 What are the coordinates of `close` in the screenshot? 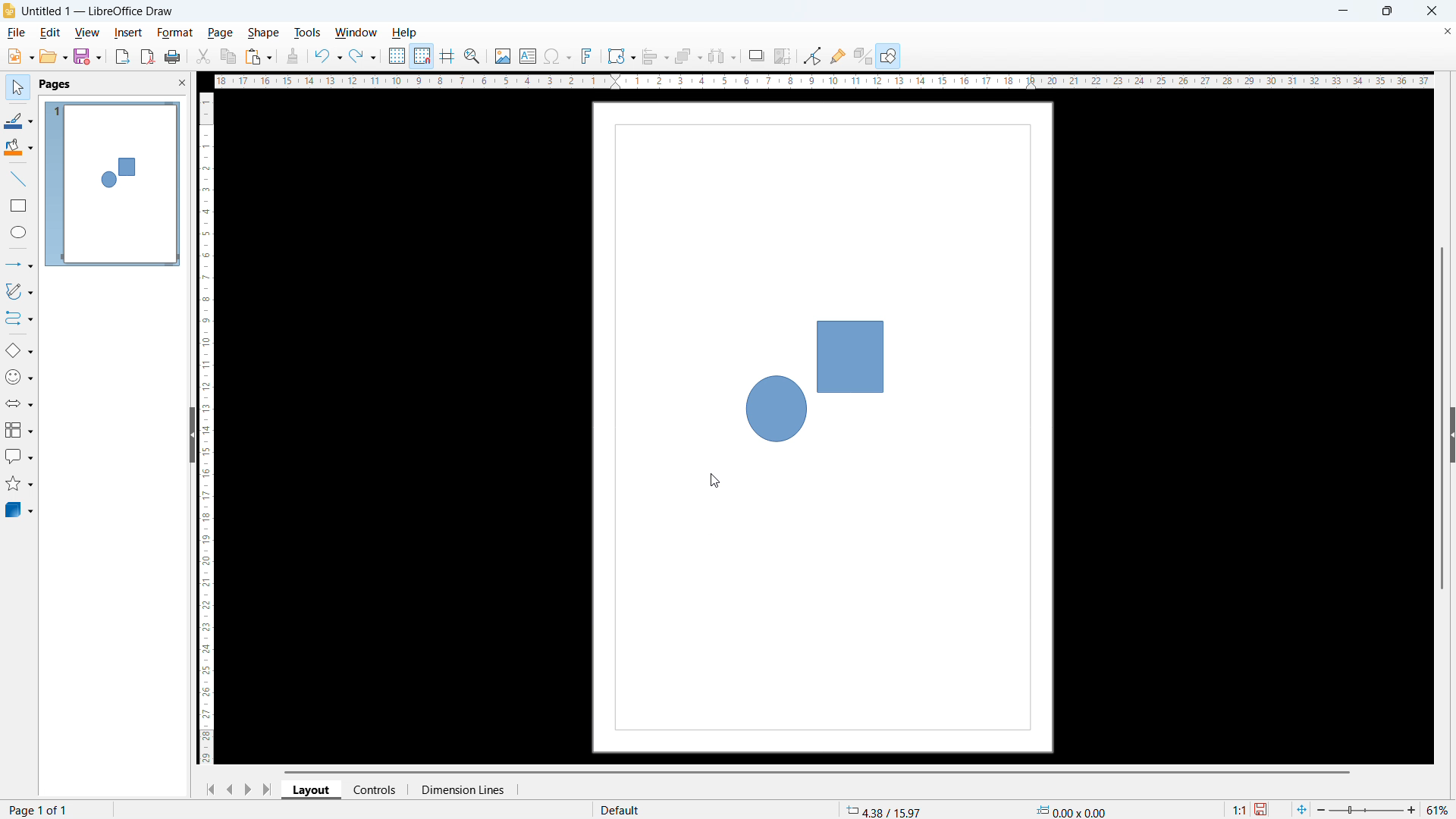 It's located at (1432, 11).